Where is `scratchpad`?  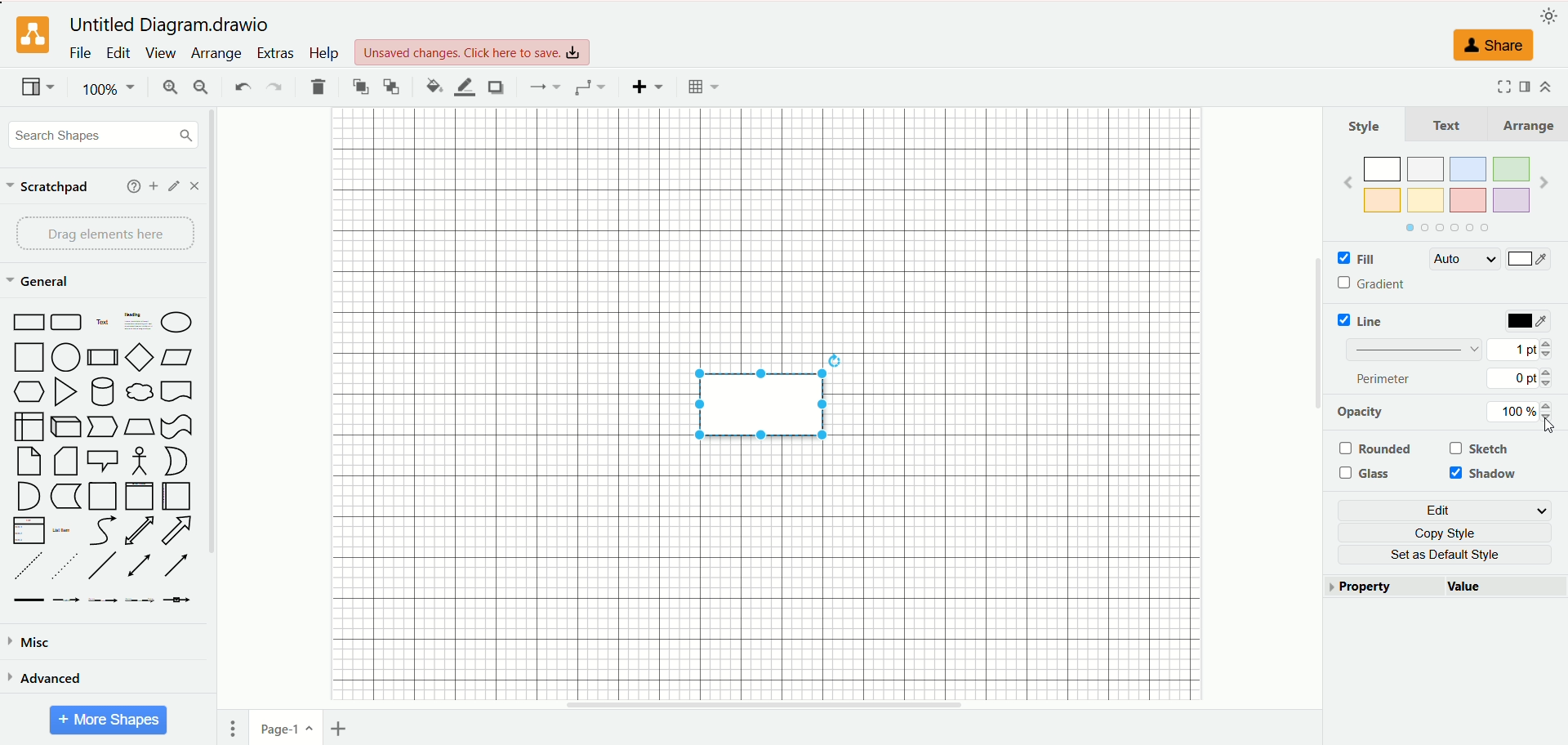 scratchpad is located at coordinates (48, 188).